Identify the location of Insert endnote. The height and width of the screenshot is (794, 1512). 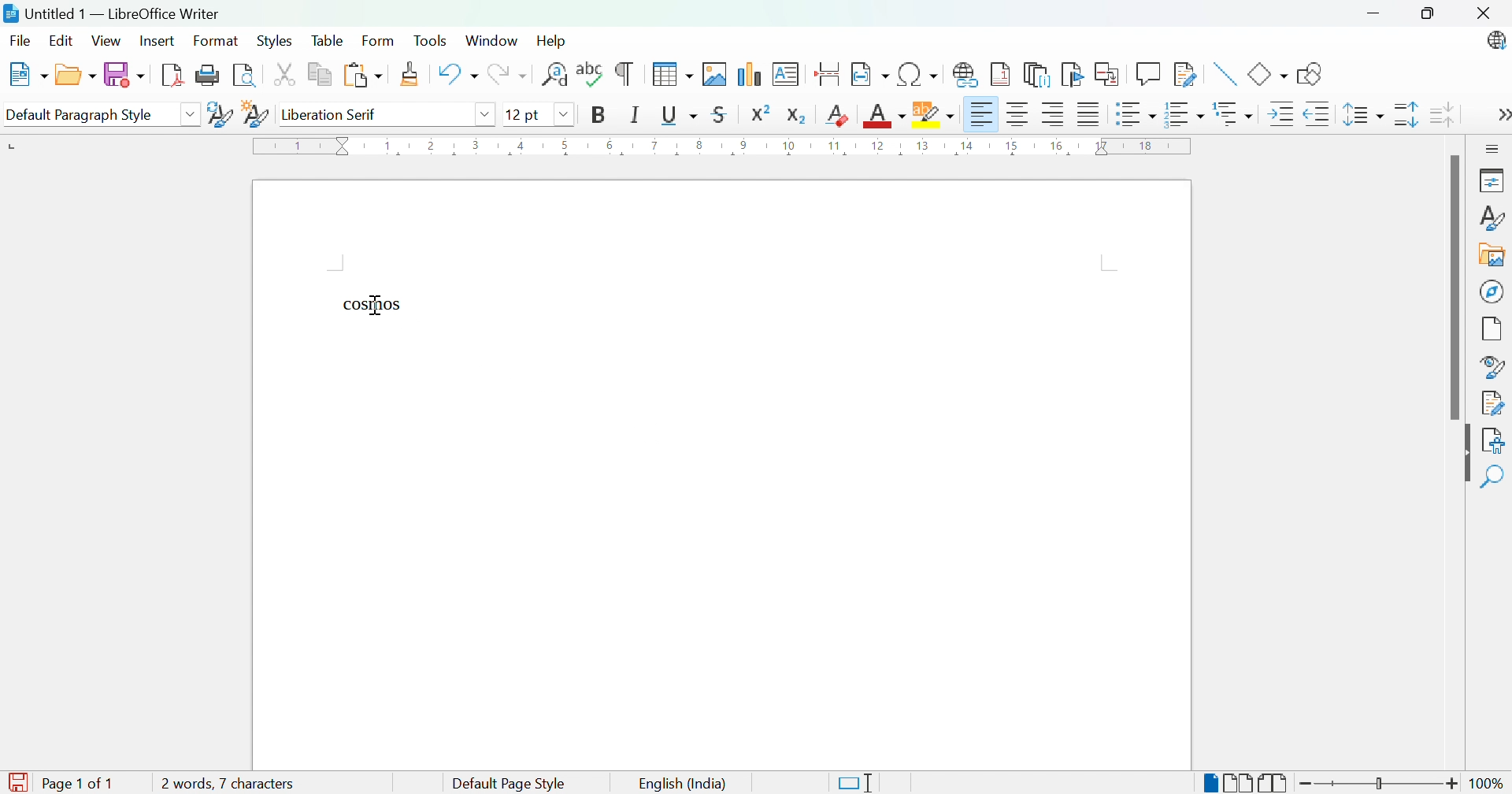
(1038, 76).